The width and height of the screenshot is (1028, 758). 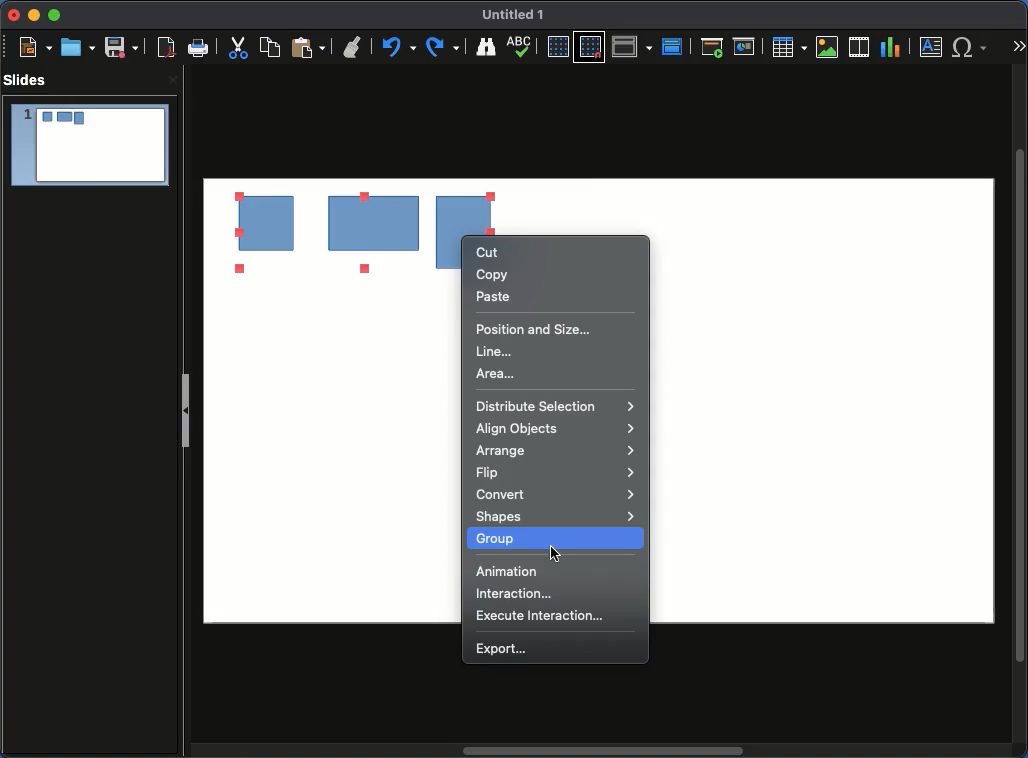 What do you see at coordinates (200, 49) in the screenshot?
I see `Print` at bounding box center [200, 49].